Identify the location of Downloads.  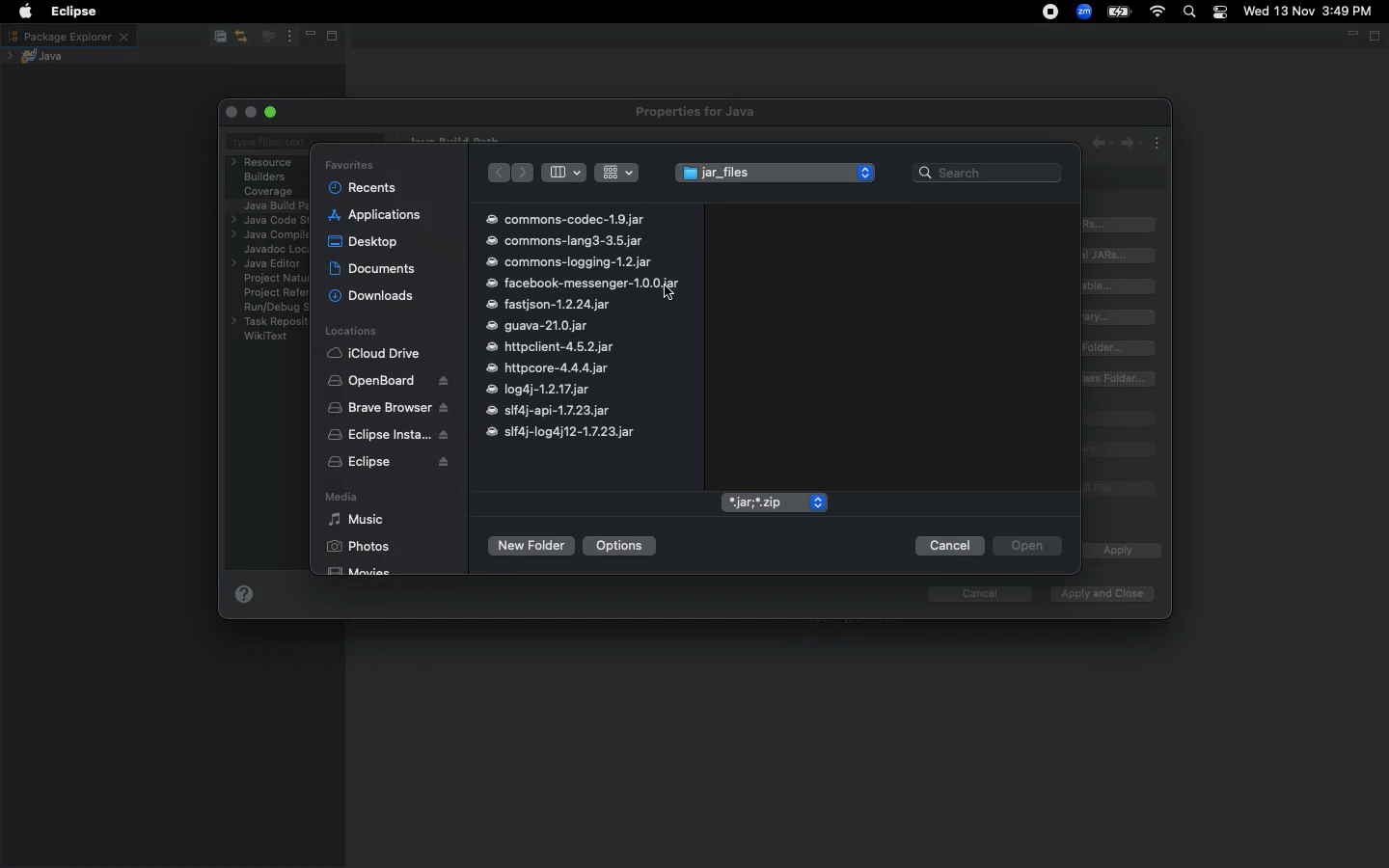
(372, 296).